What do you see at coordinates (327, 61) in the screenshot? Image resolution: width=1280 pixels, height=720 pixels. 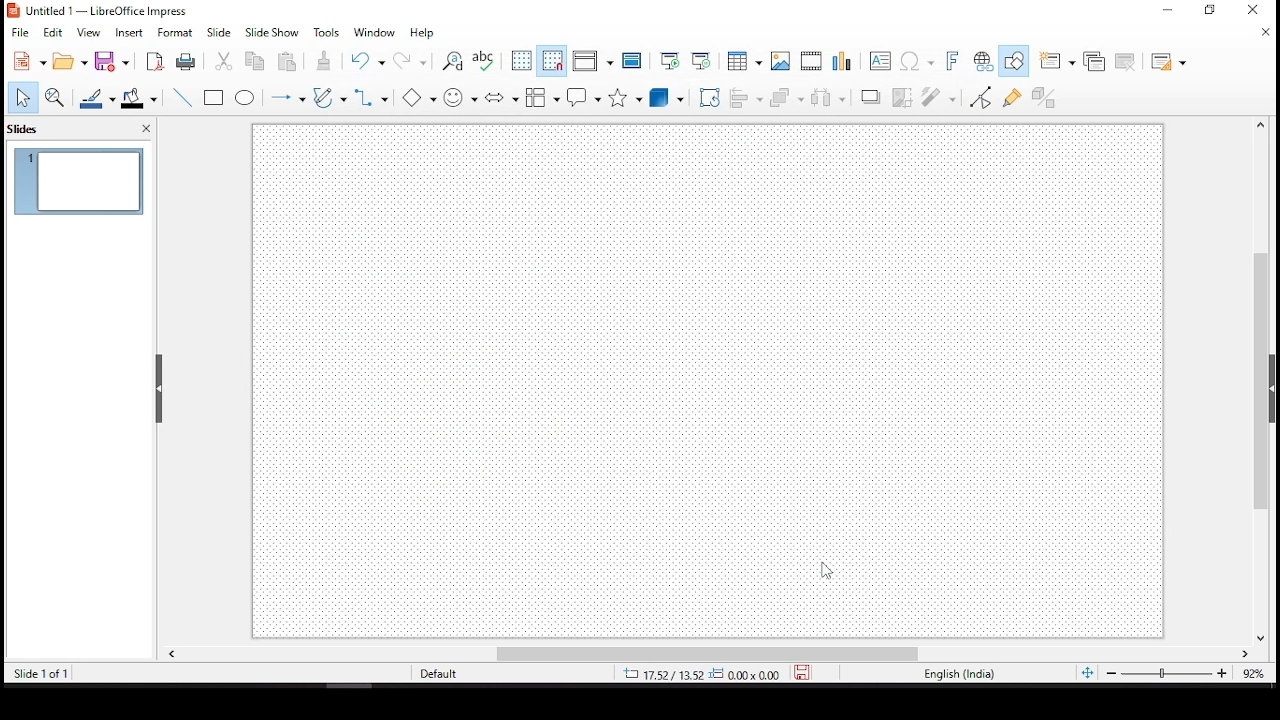 I see `clone formatting` at bounding box center [327, 61].